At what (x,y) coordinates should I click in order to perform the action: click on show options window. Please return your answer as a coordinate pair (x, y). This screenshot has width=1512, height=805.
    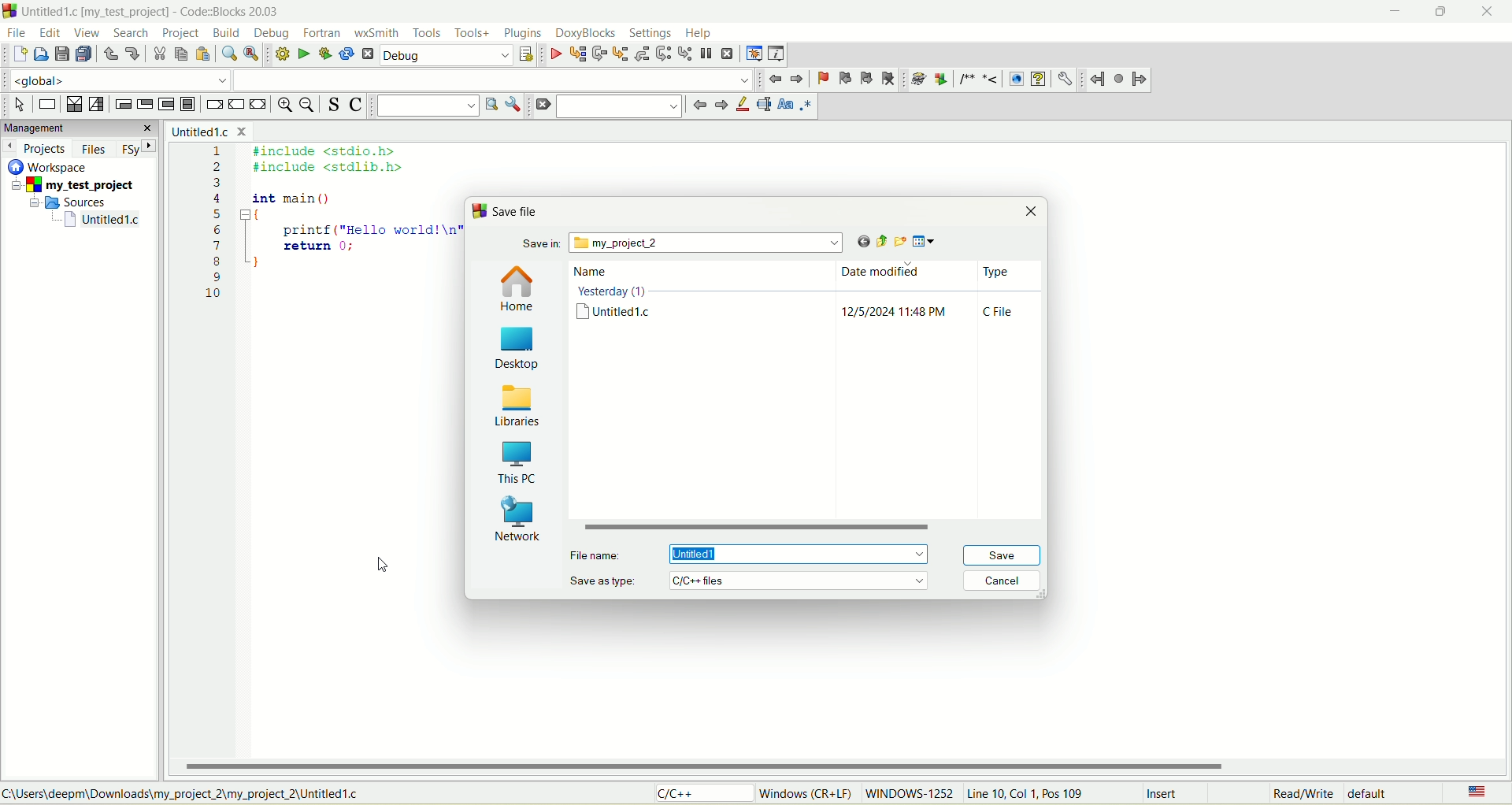
    Looking at the image, I should click on (515, 106).